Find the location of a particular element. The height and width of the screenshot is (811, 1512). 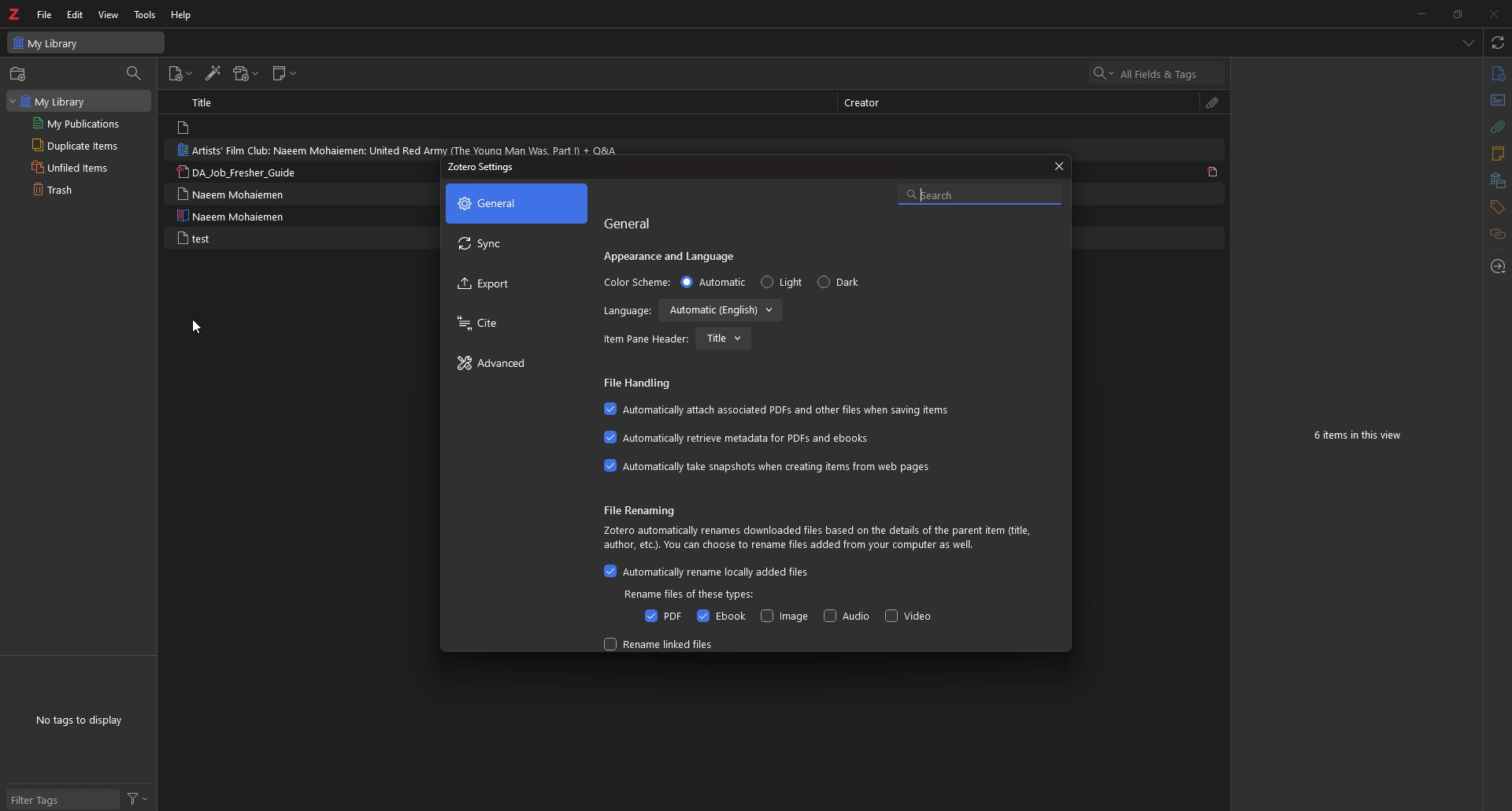

tools is located at coordinates (146, 14).